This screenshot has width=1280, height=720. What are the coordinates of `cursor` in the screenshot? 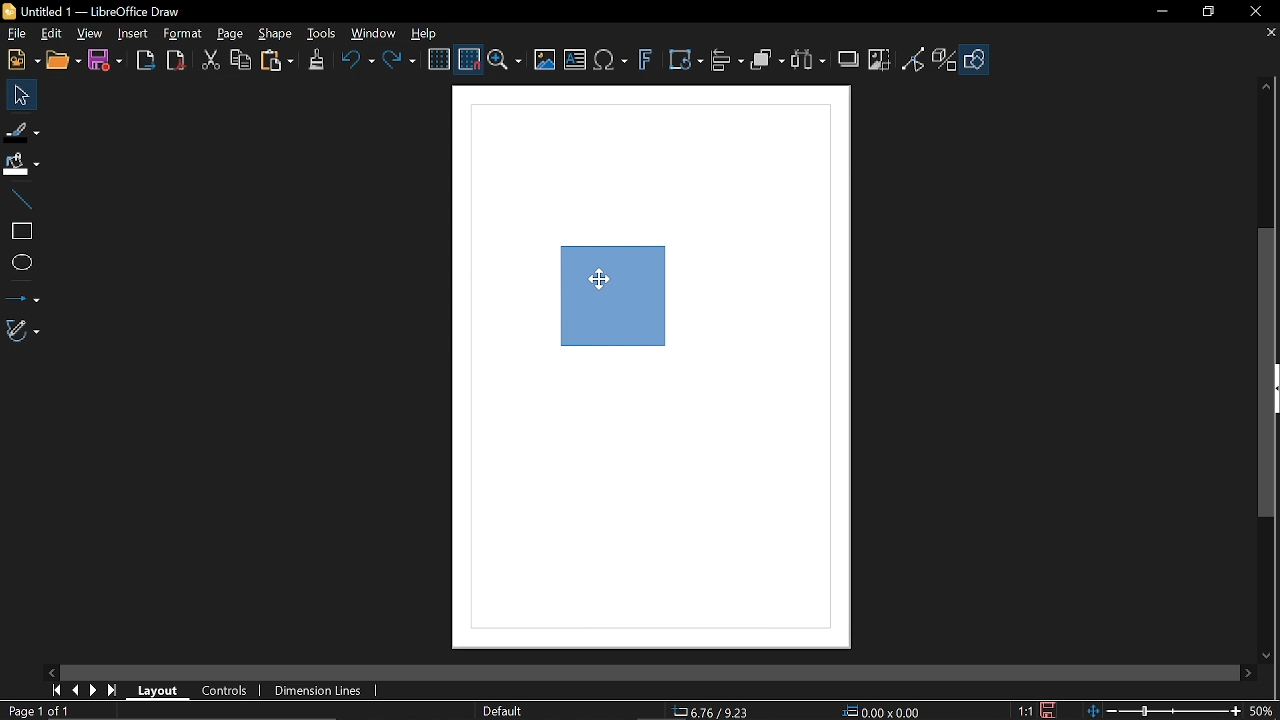 It's located at (592, 279).